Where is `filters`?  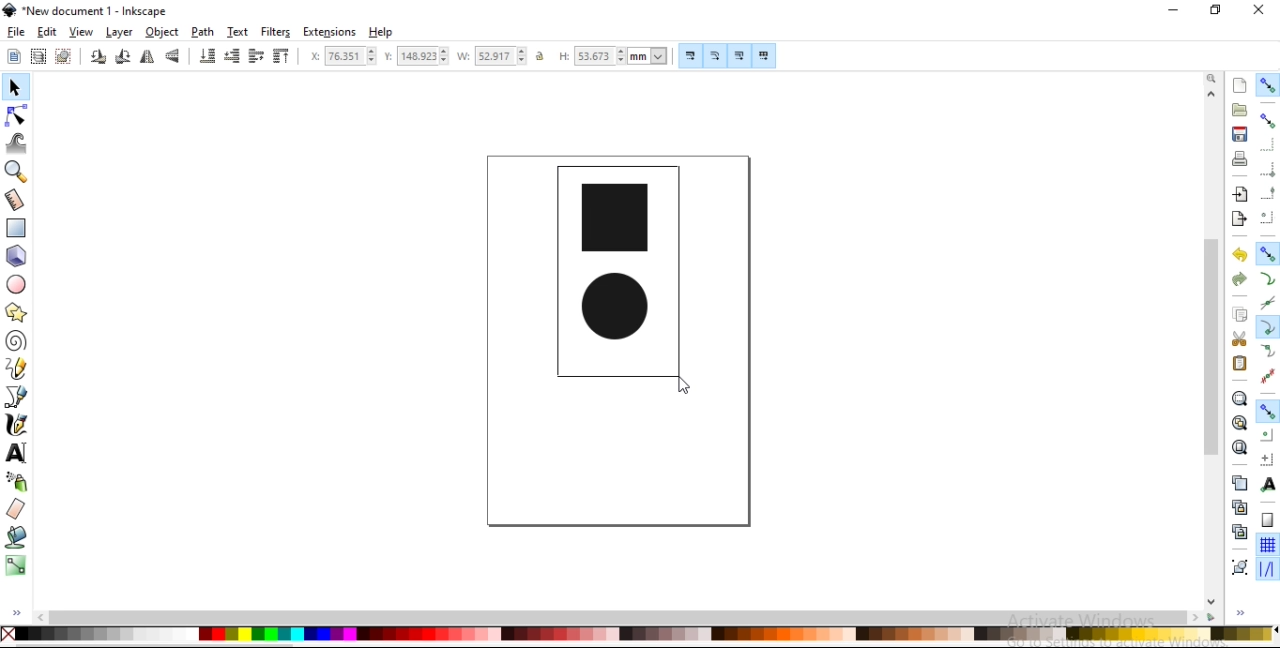
filters is located at coordinates (276, 31).